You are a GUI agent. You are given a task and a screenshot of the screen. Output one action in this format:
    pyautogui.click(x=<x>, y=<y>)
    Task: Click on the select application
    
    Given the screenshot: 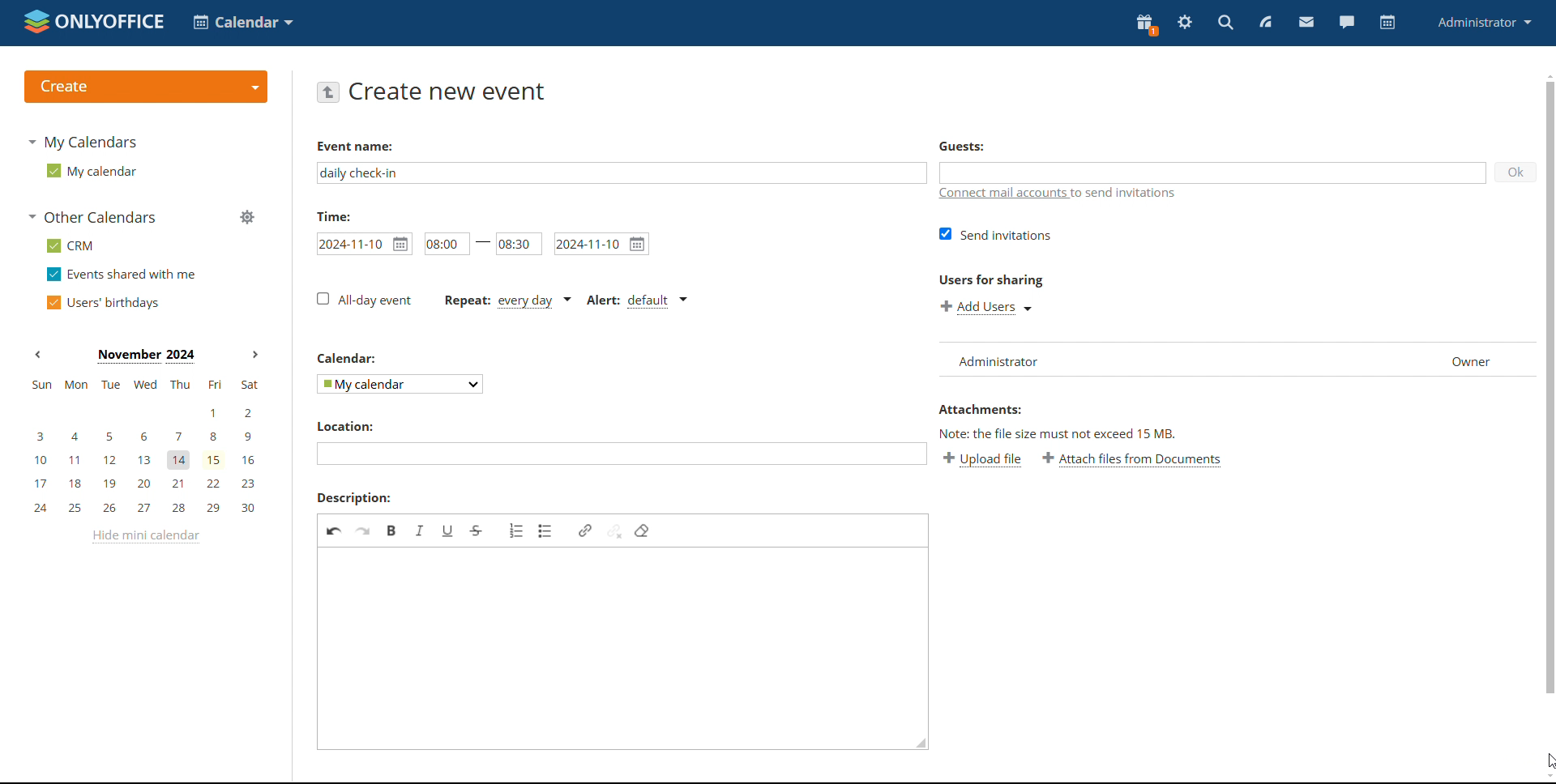 What is the action you would take?
    pyautogui.click(x=243, y=23)
    